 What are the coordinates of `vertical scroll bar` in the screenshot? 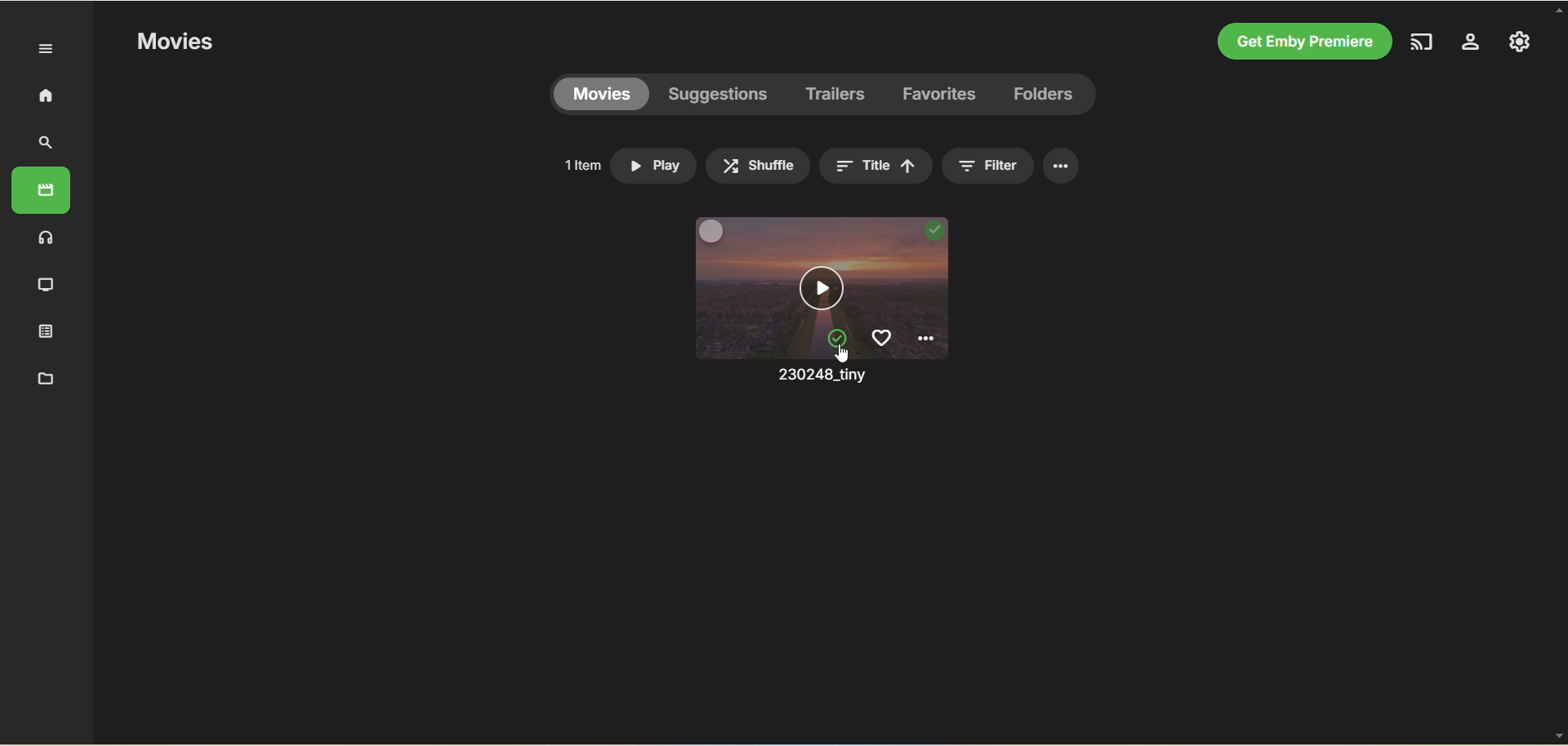 It's located at (1558, 371).